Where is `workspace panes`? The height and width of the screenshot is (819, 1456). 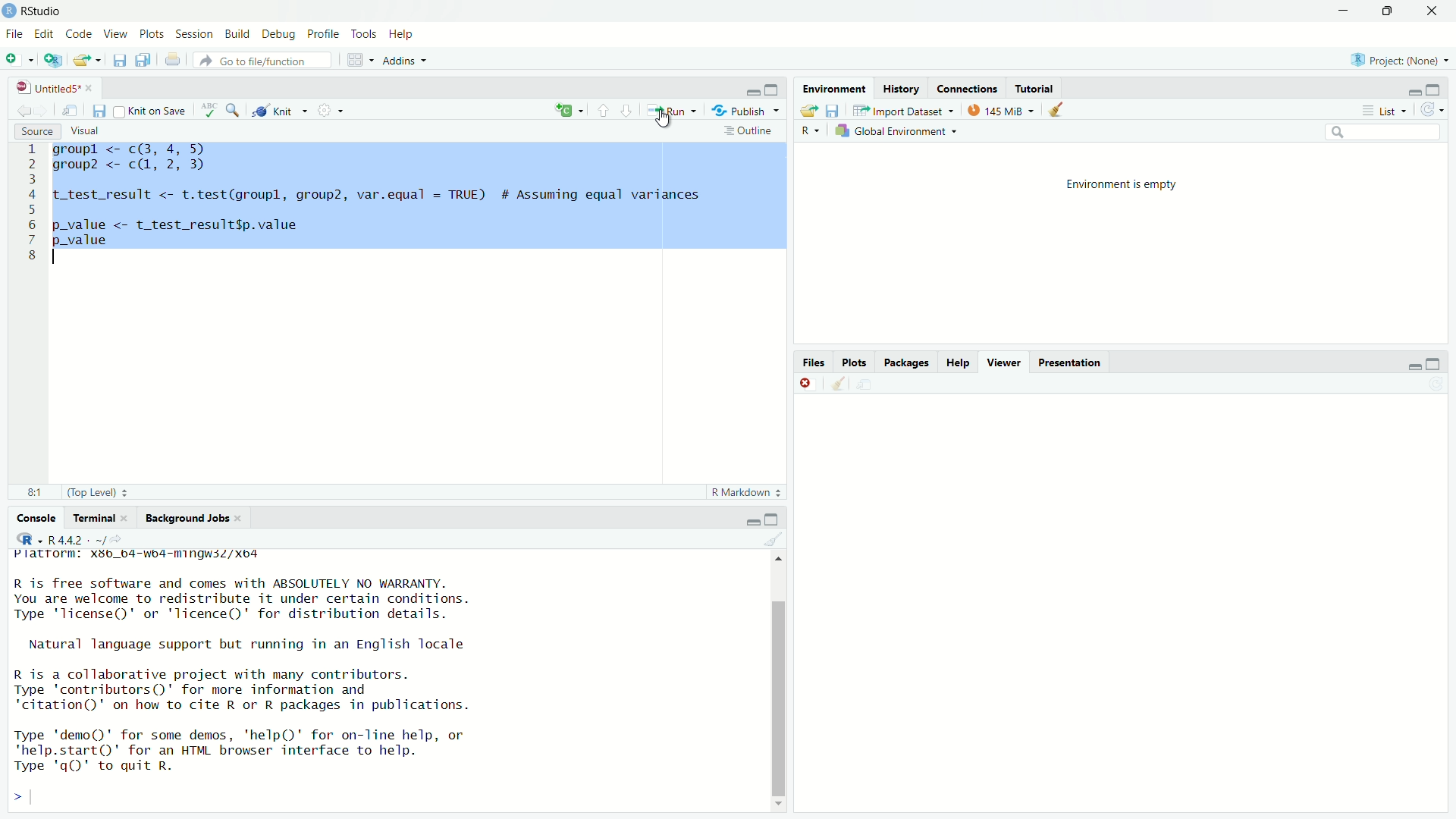 workspace panes is located at coordinates (354, 58).